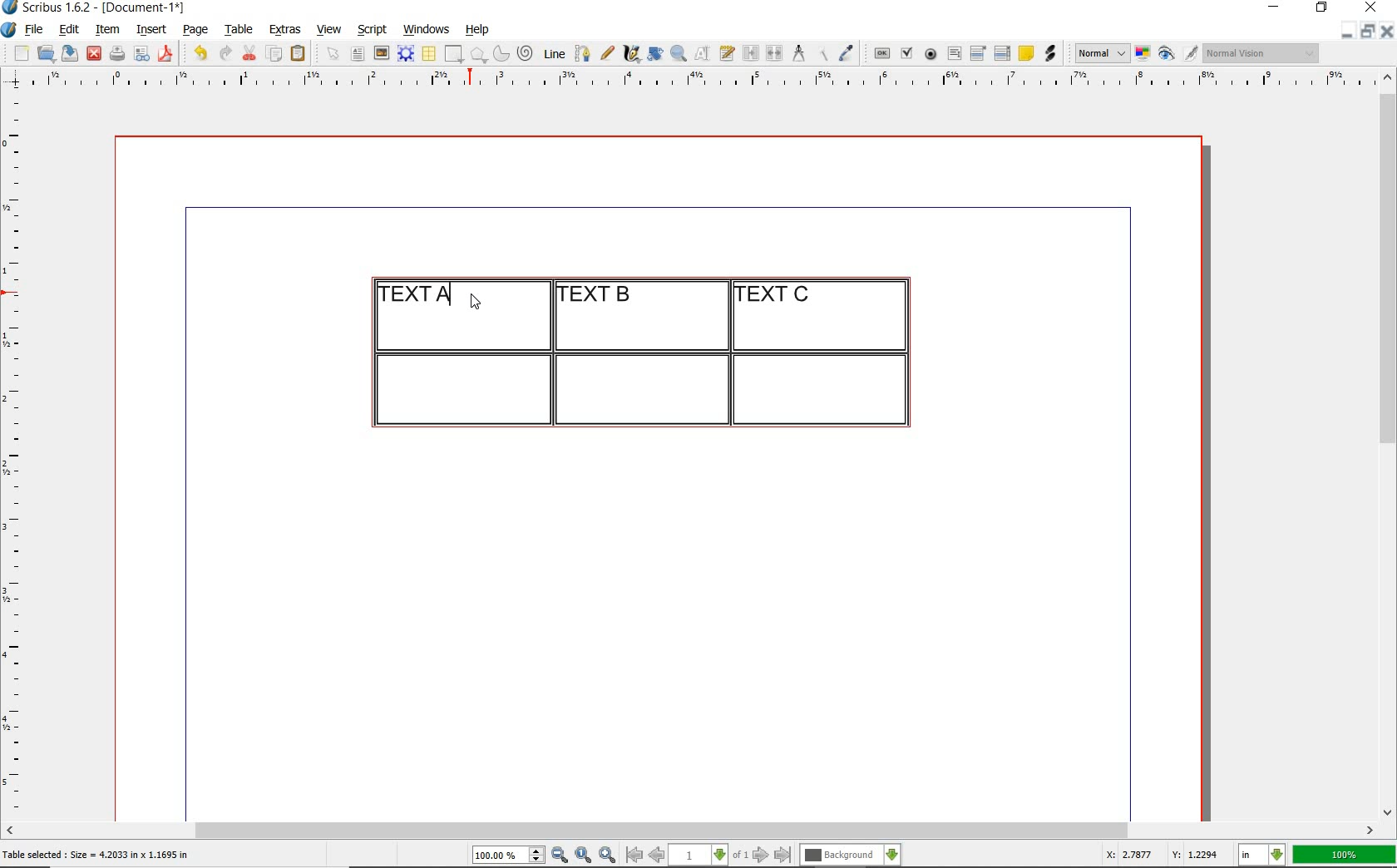 The image size is (1397, 868). I want to click on polygon, so click(478, 54).